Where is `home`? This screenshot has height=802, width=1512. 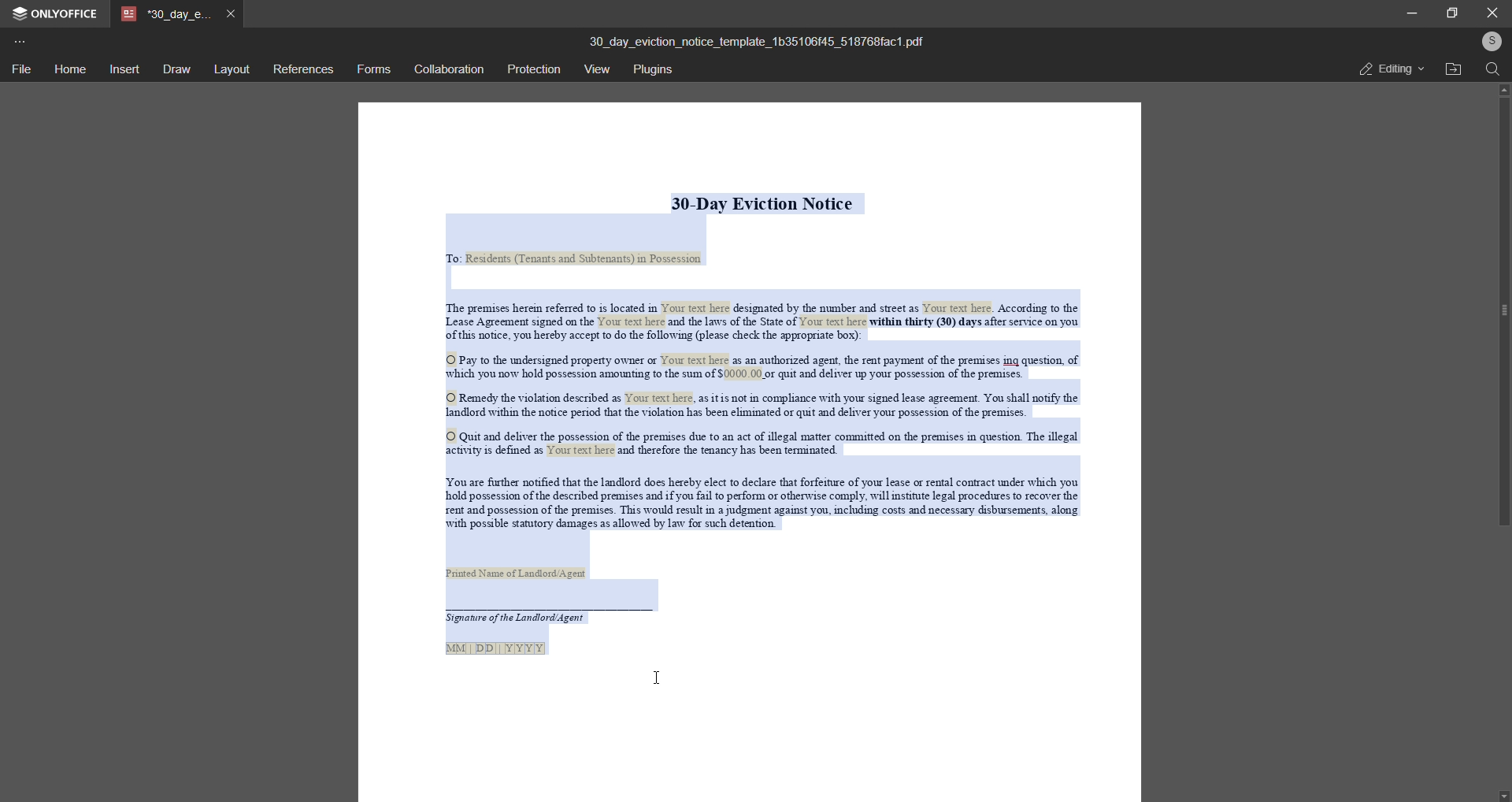 home is located at coordinates (68, 69).